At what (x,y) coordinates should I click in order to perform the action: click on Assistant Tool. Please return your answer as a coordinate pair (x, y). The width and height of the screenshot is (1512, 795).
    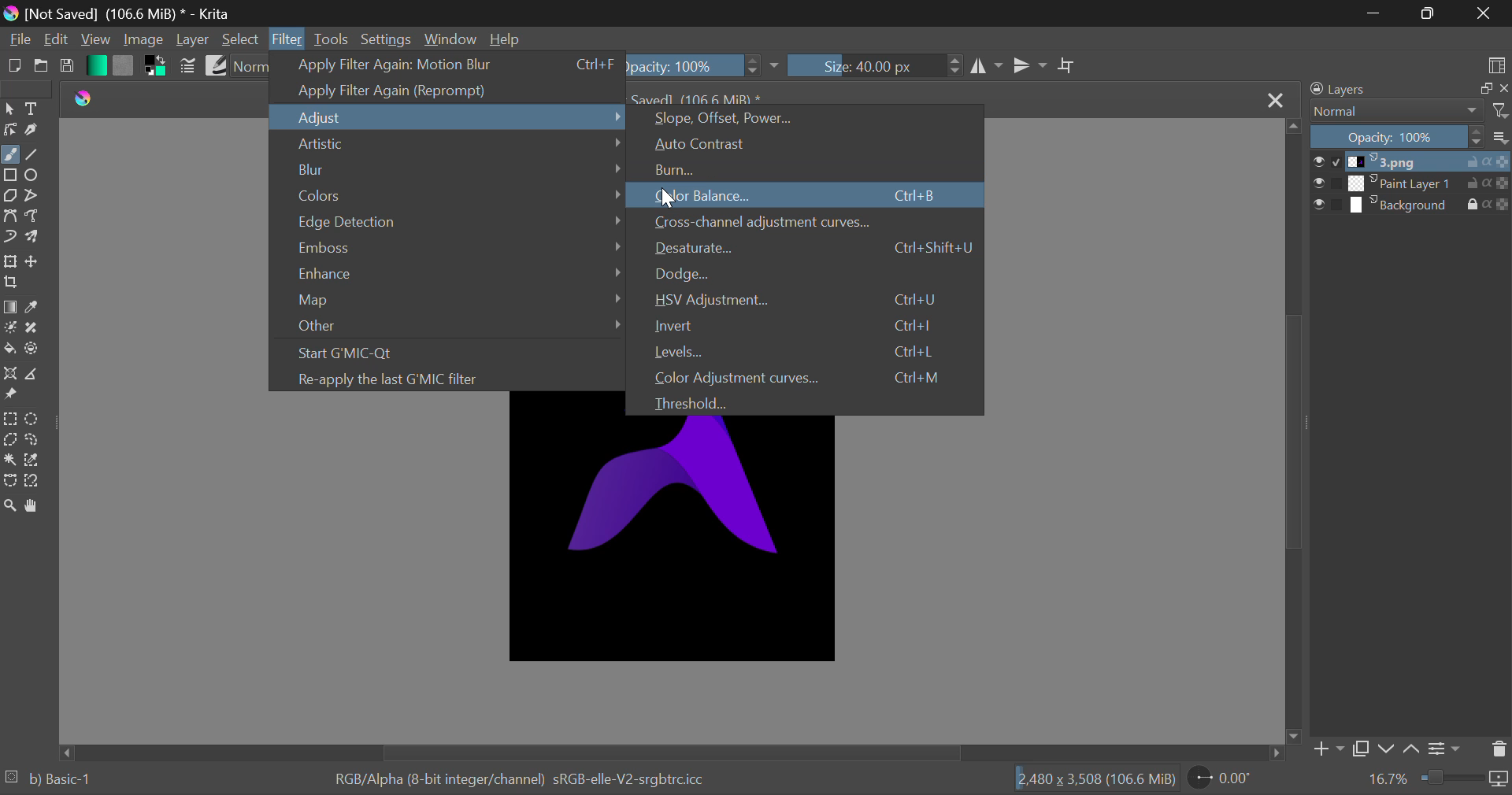
    Looking at the image, I should click on (9, 375).